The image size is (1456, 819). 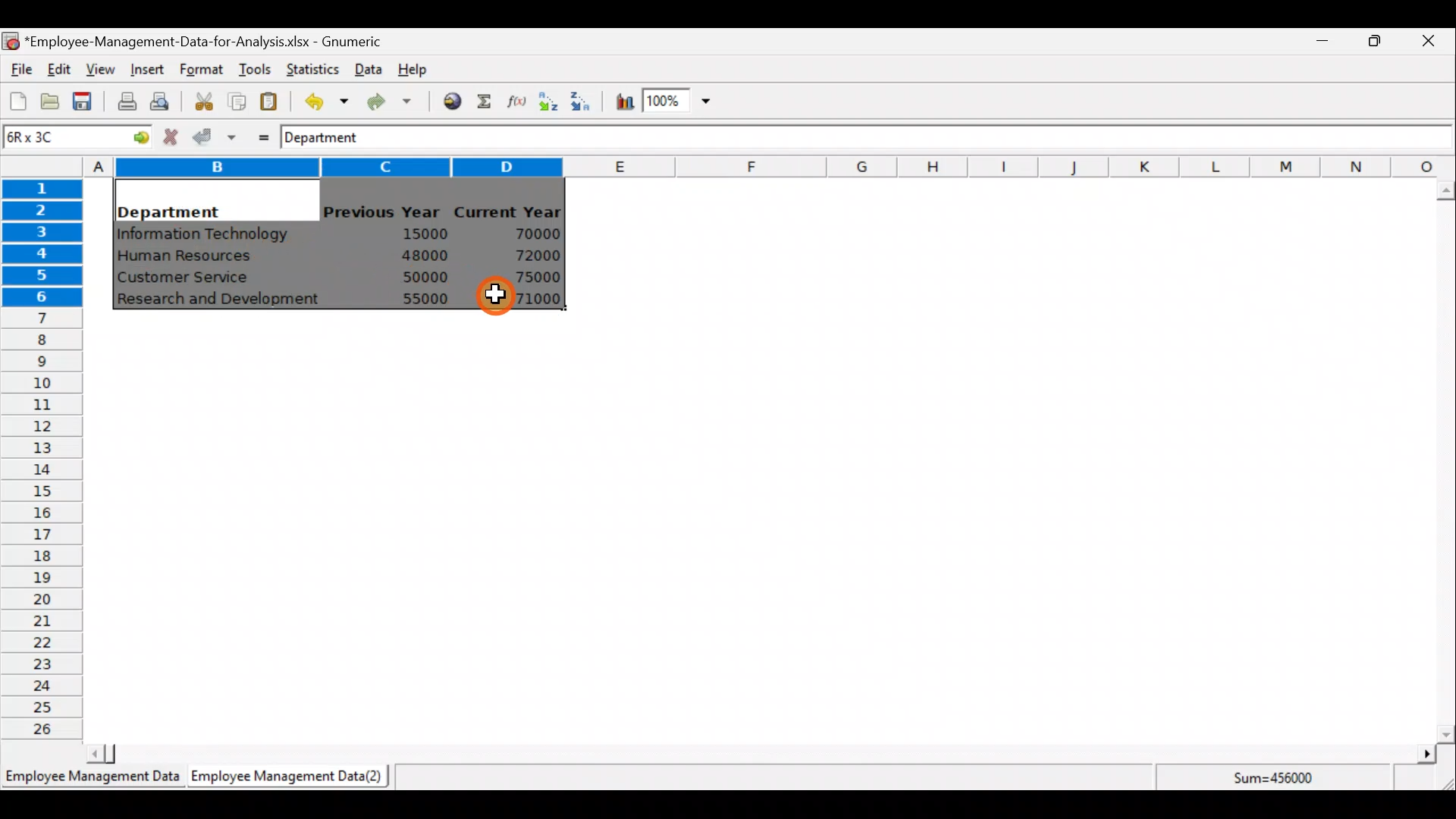 I want to click on Enter formula, so click(x=259, y=134).